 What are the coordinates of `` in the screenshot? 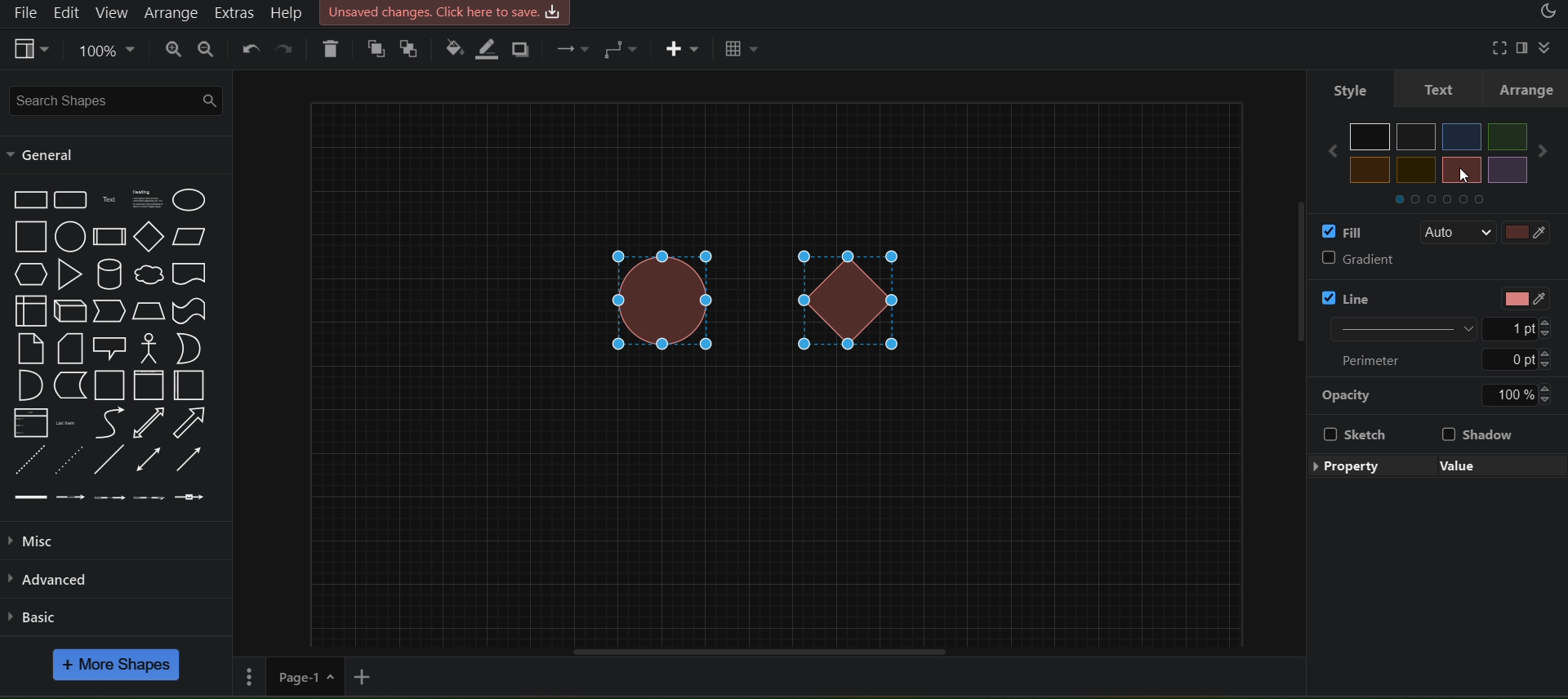 It's located at (1330, 153).